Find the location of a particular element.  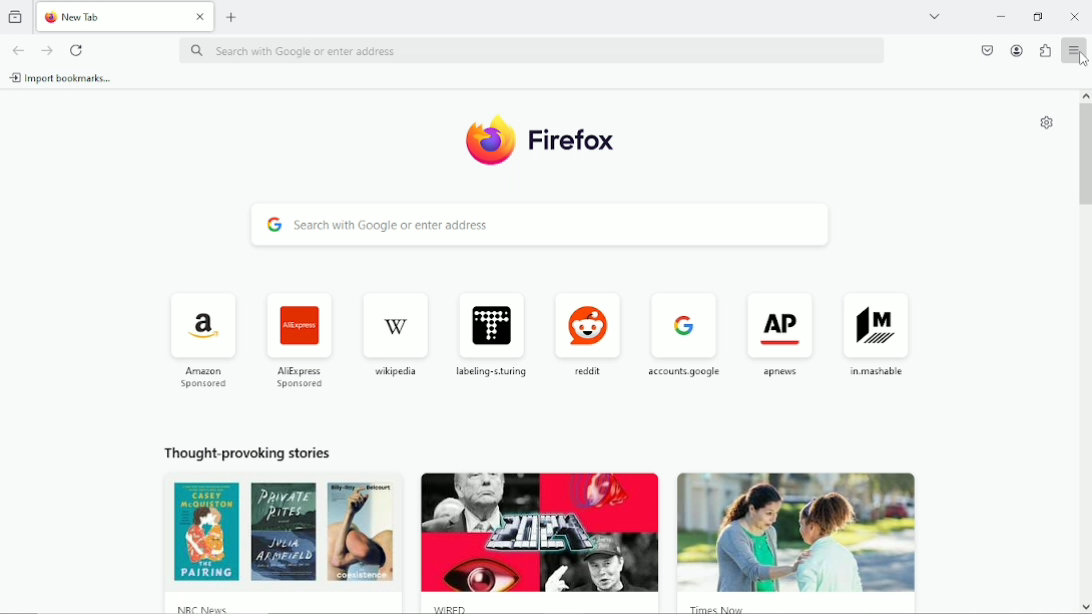

cursor is located at coordinates (1082, 60).